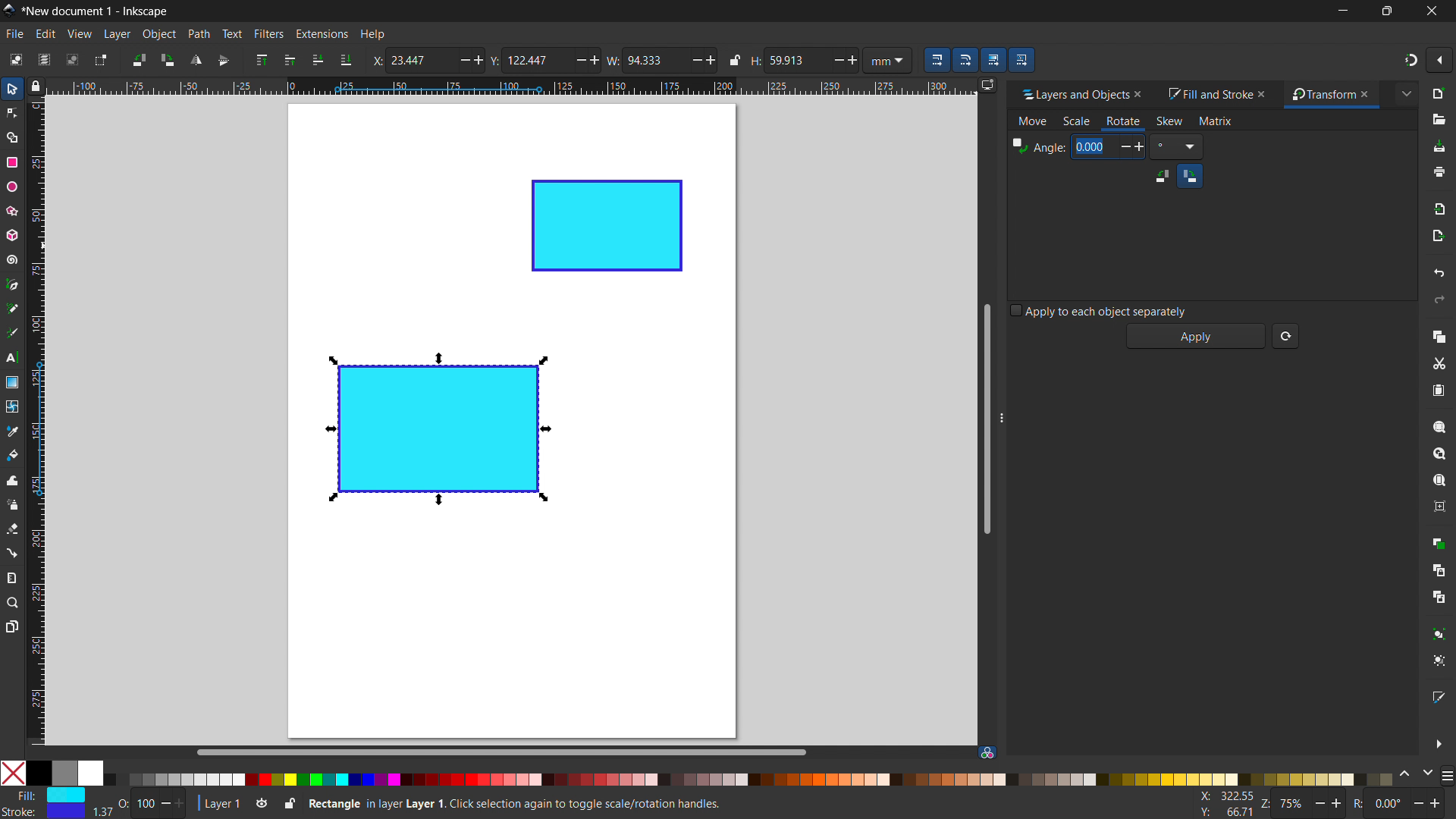 The height and width of the screenshot is (819, 1456). I want to click on object 2, so click(607, 226).